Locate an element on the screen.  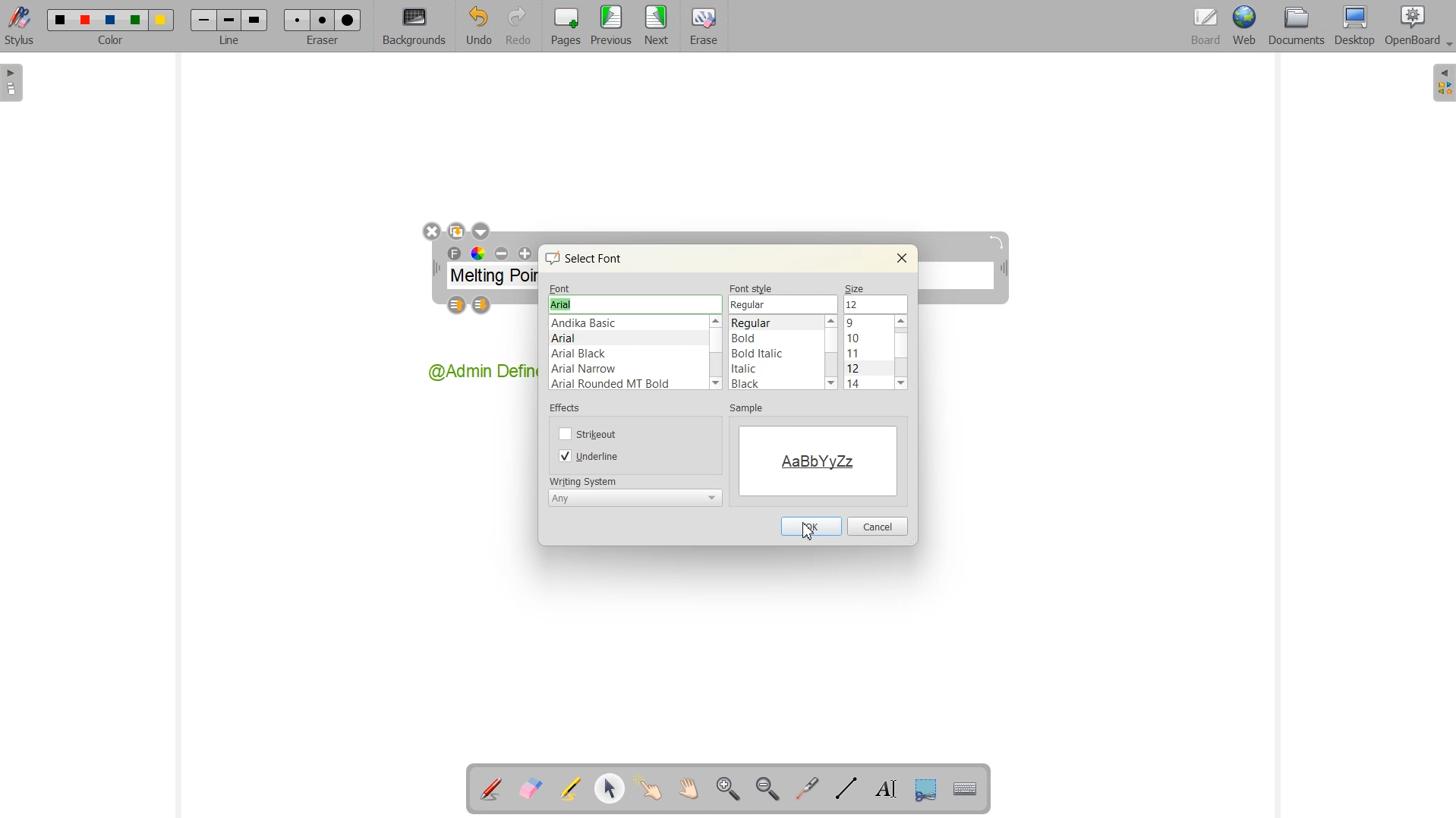
Scroll page is located at coordinates (686, 789).